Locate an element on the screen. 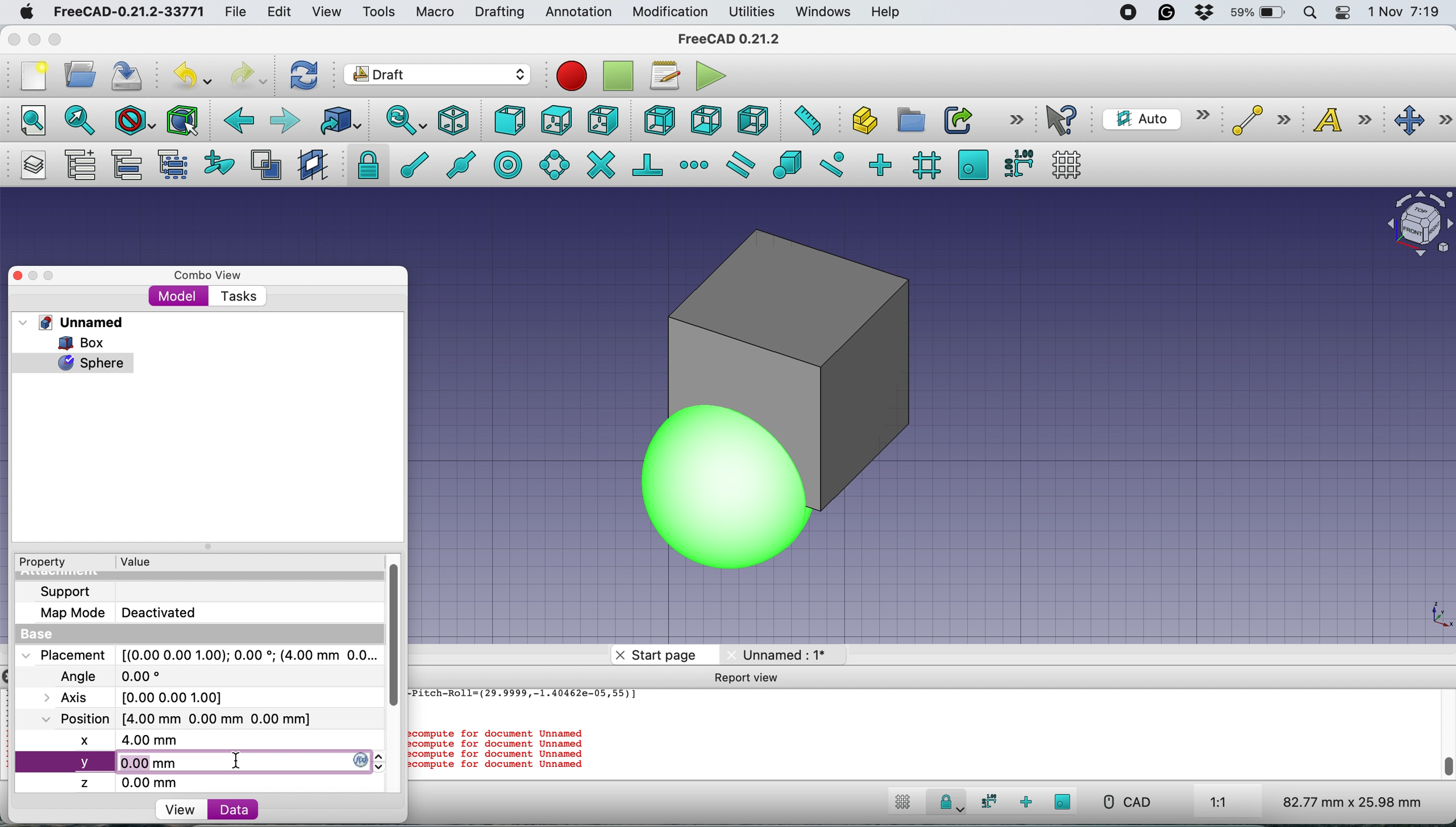  new is located at coordinates (30, 76).